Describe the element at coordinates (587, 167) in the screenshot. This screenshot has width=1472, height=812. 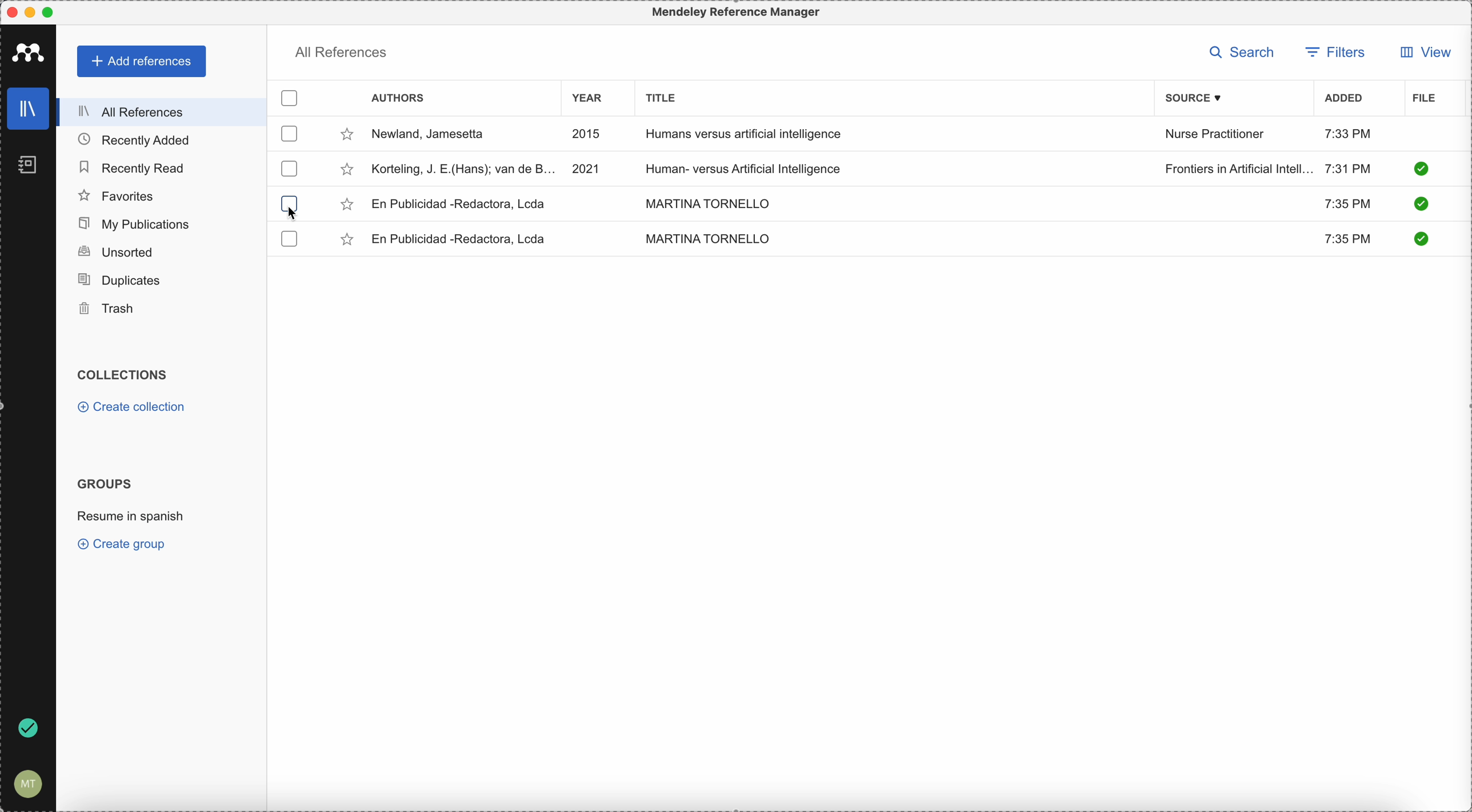
I see `2021` at that location.